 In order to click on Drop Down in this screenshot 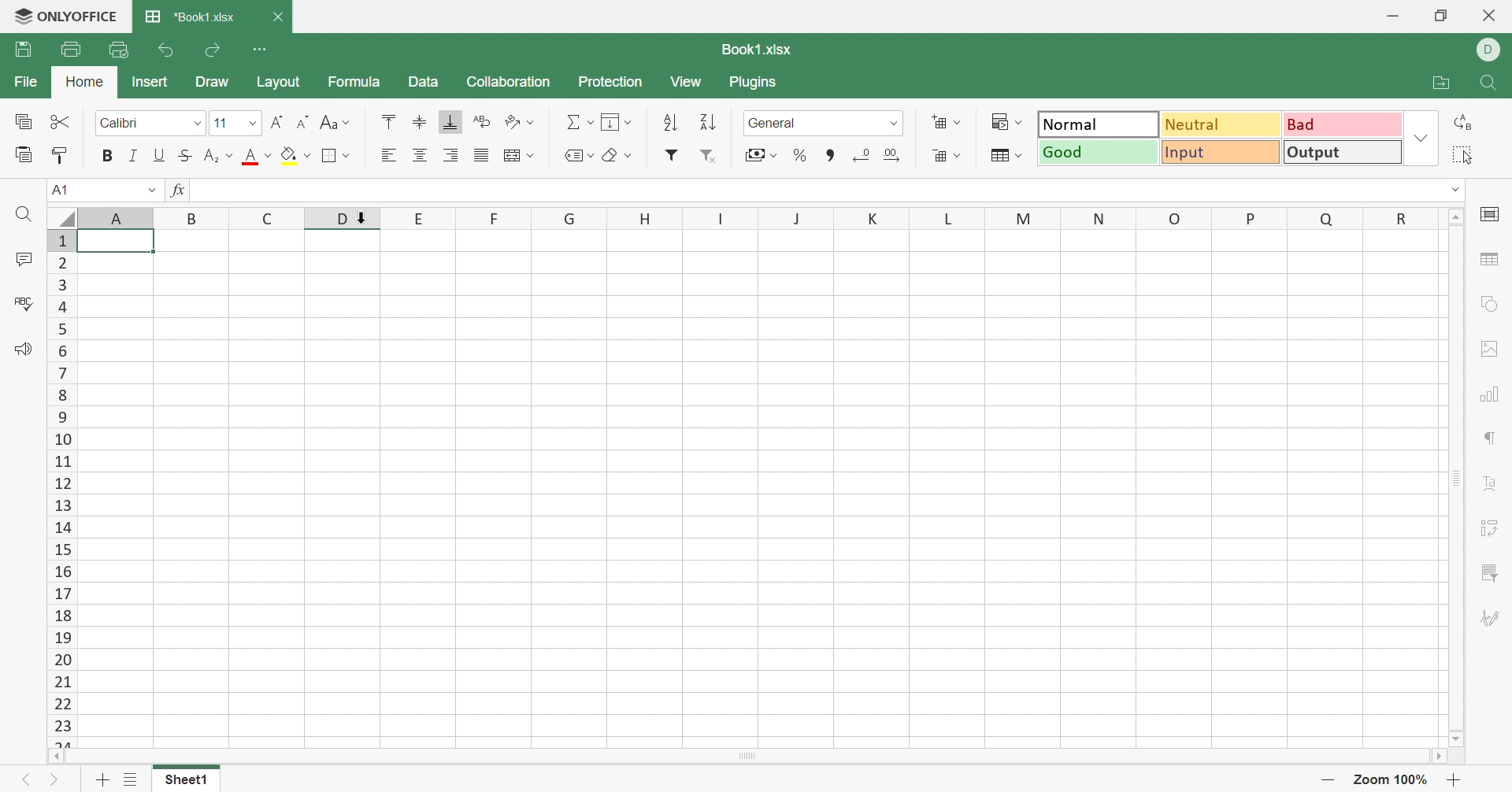, I will do `click(1453, 190)`.